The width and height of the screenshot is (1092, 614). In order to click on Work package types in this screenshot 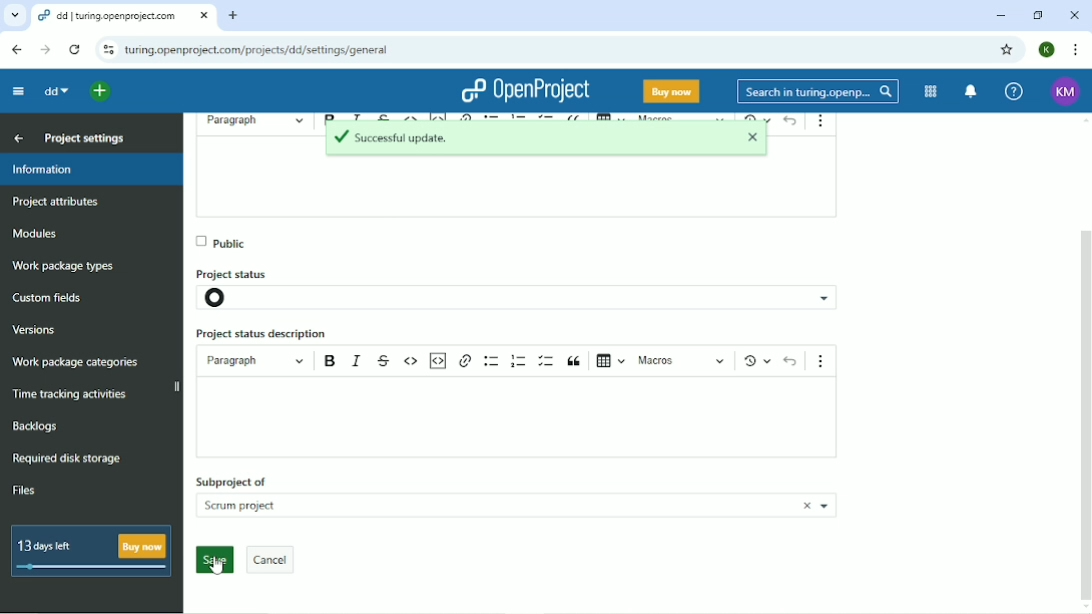, I will do `click(64, 266)`.